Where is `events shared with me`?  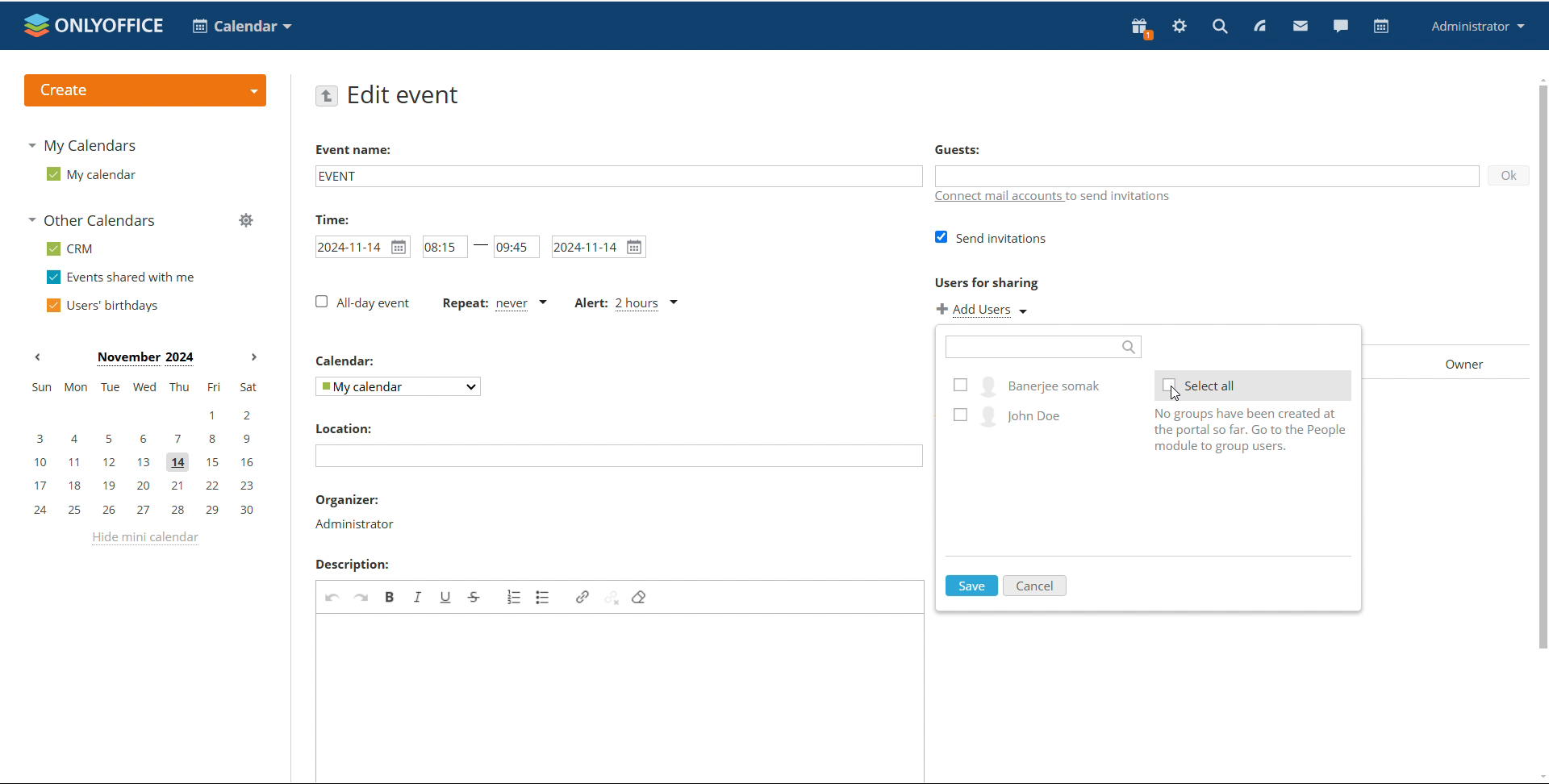
events shared with me is located at coordinates (121, 277).